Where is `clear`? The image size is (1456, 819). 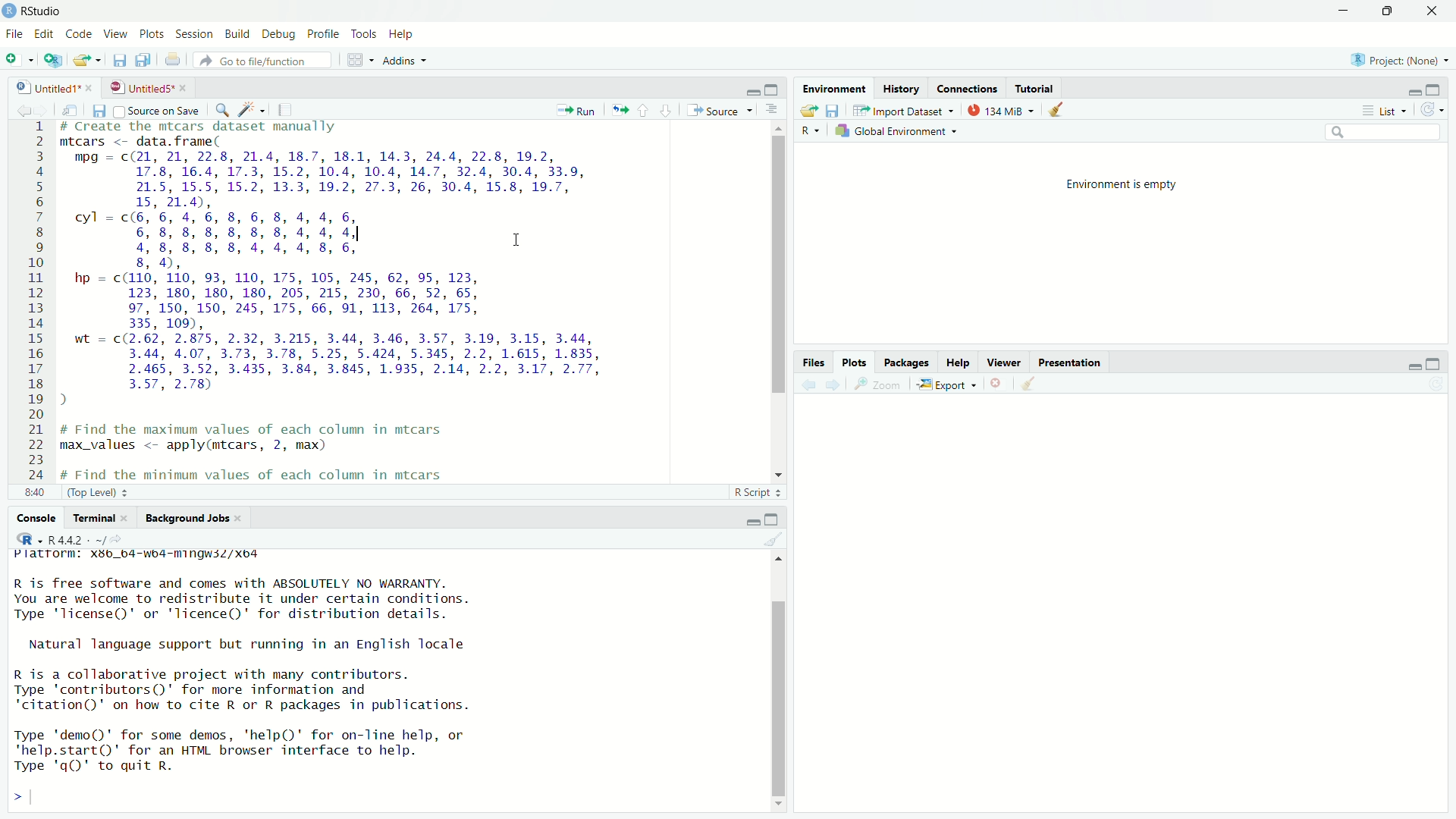 clear is located at coordinates (1039, 385).